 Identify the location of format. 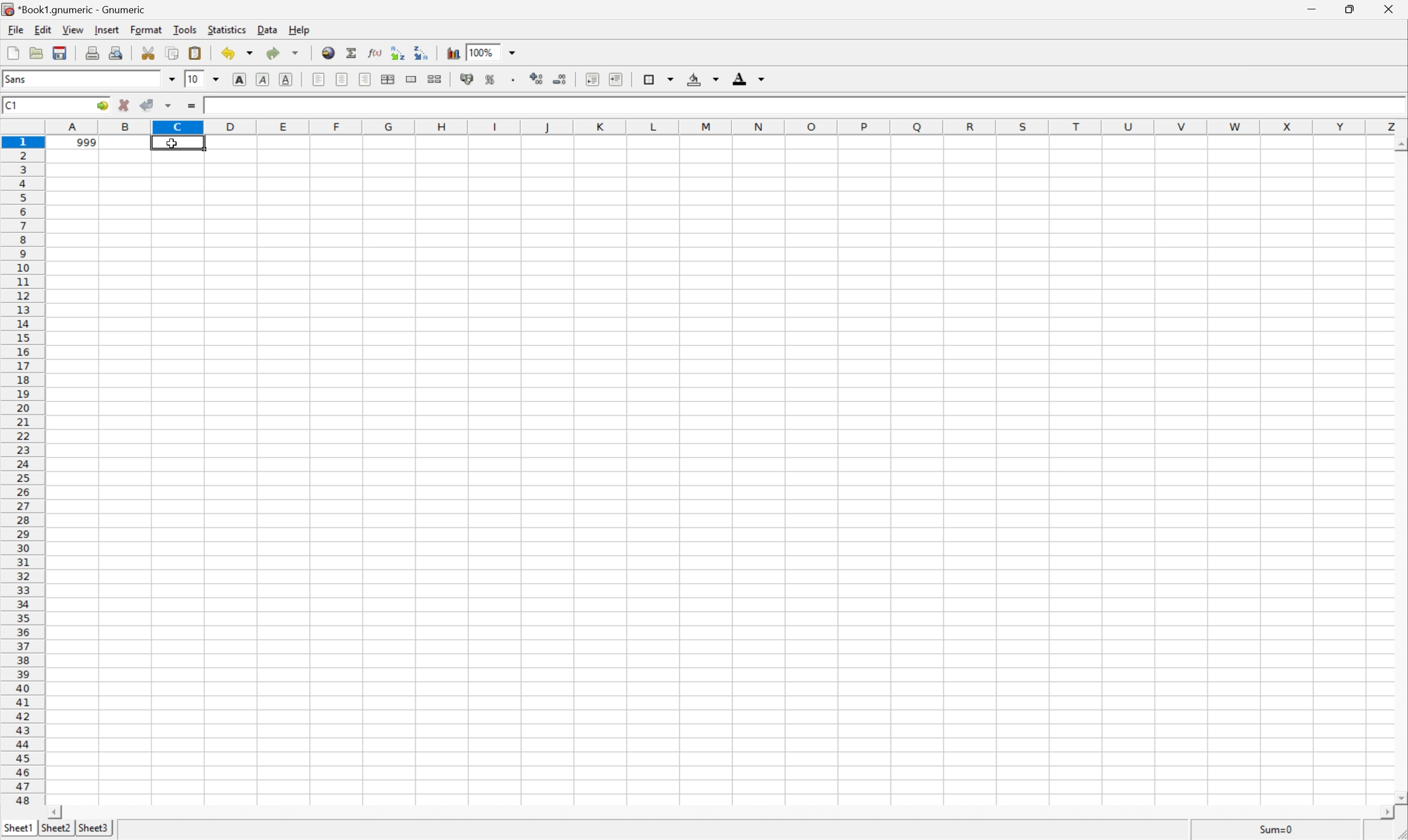
(147, 29).